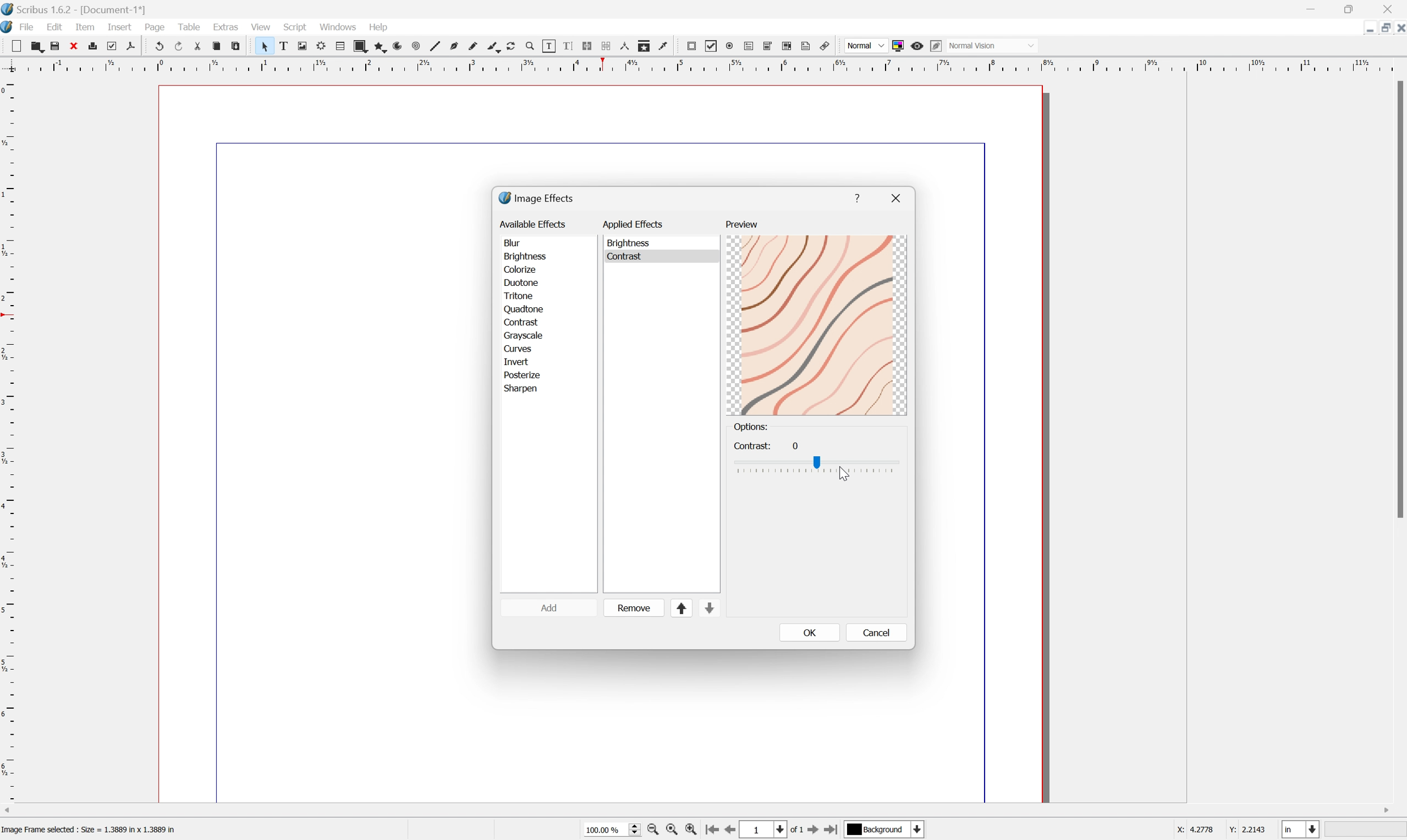 This screenshot has width=1407, height=840. I want to click on add, so click(555, 608).